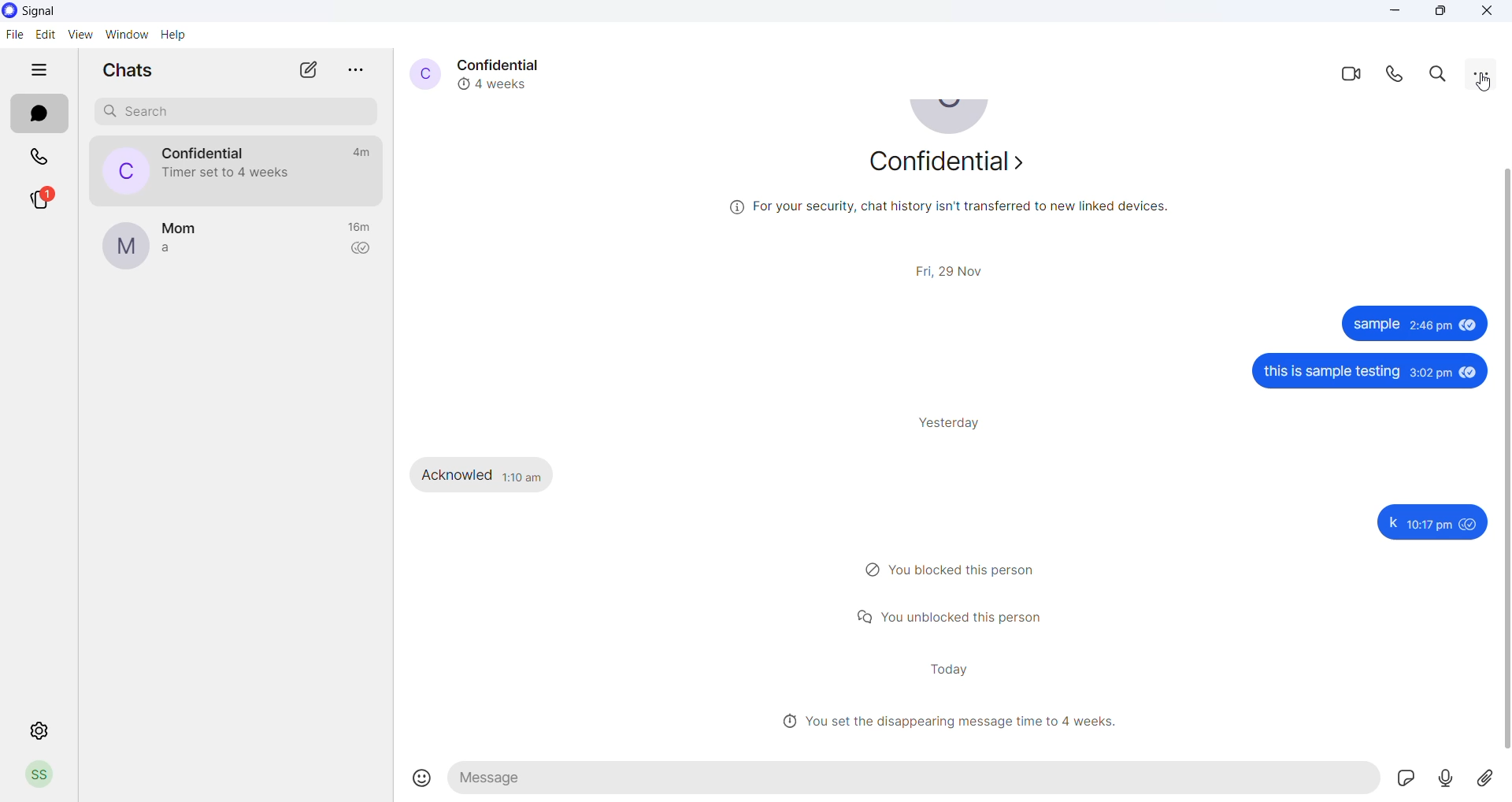 The width and height of the screenshot is (1512, 802). Describe the element at coordinates (121, 69) in the screenshot. I see `chats heading` at that location.